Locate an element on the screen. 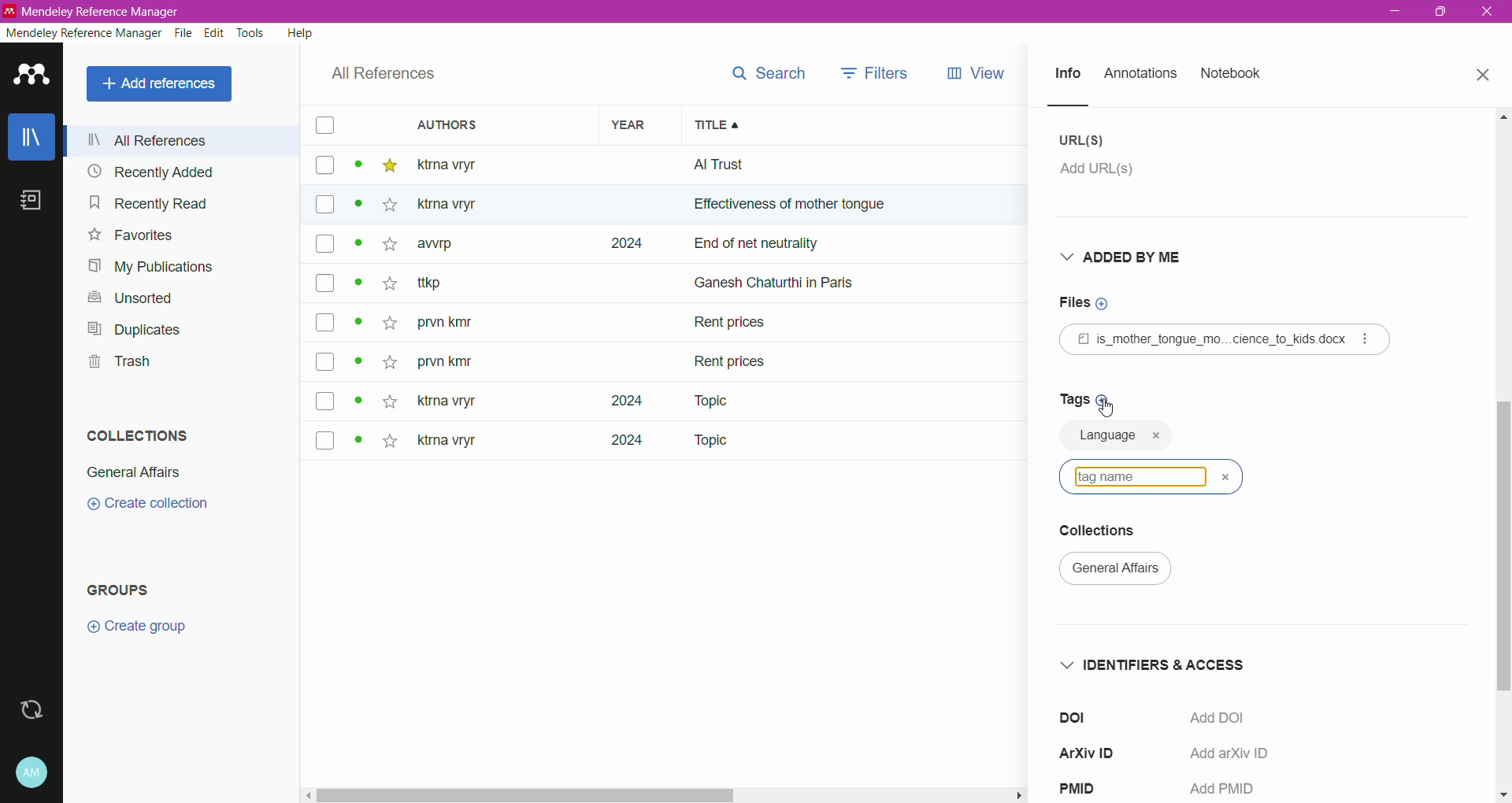 The image size is (1512, 803). Authors is located at coordinates (486, 124).